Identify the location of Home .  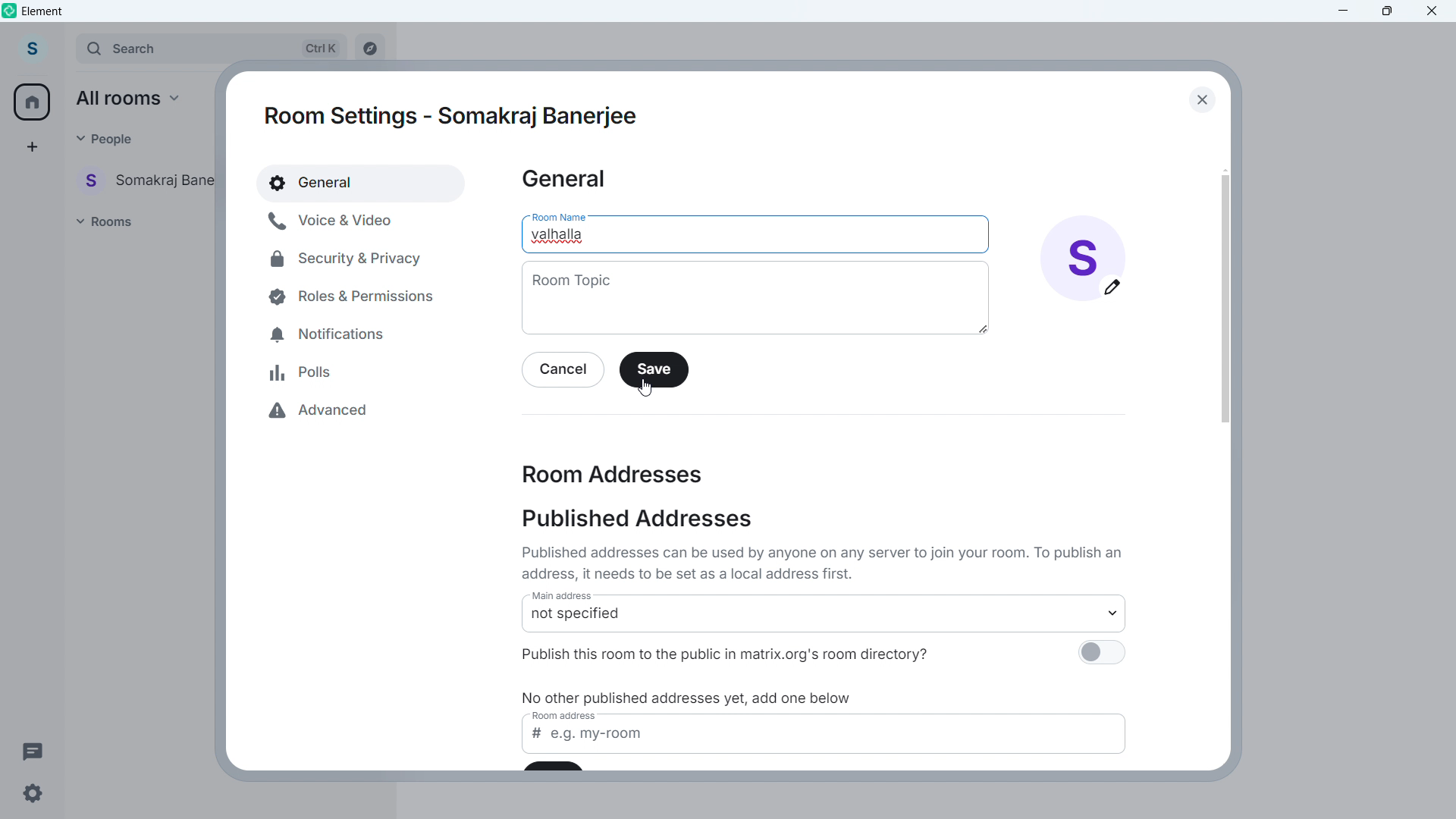
(33, 102).